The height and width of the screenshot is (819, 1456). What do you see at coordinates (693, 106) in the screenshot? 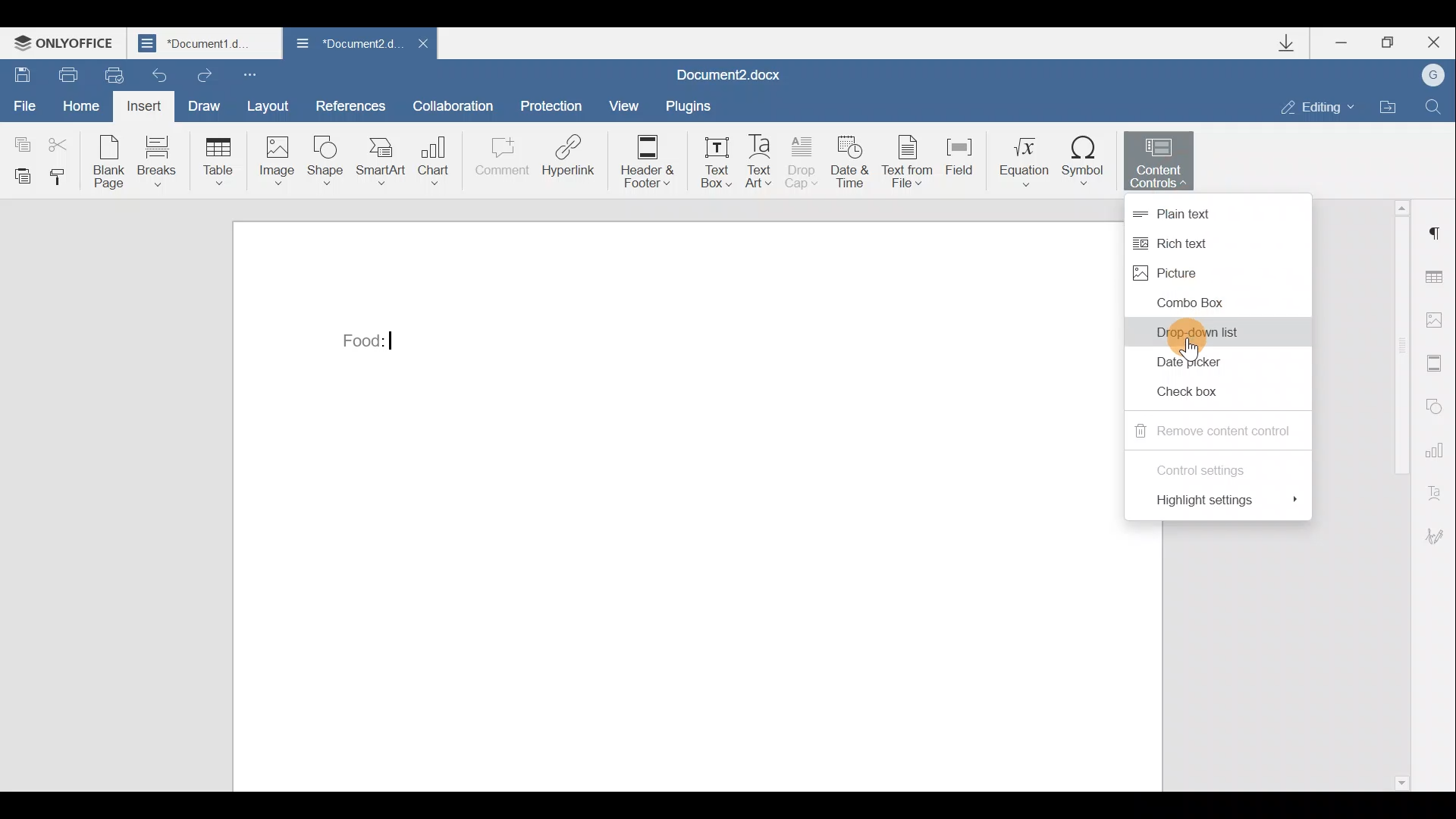
I see `Plugins` at bounding box center [693, 106].